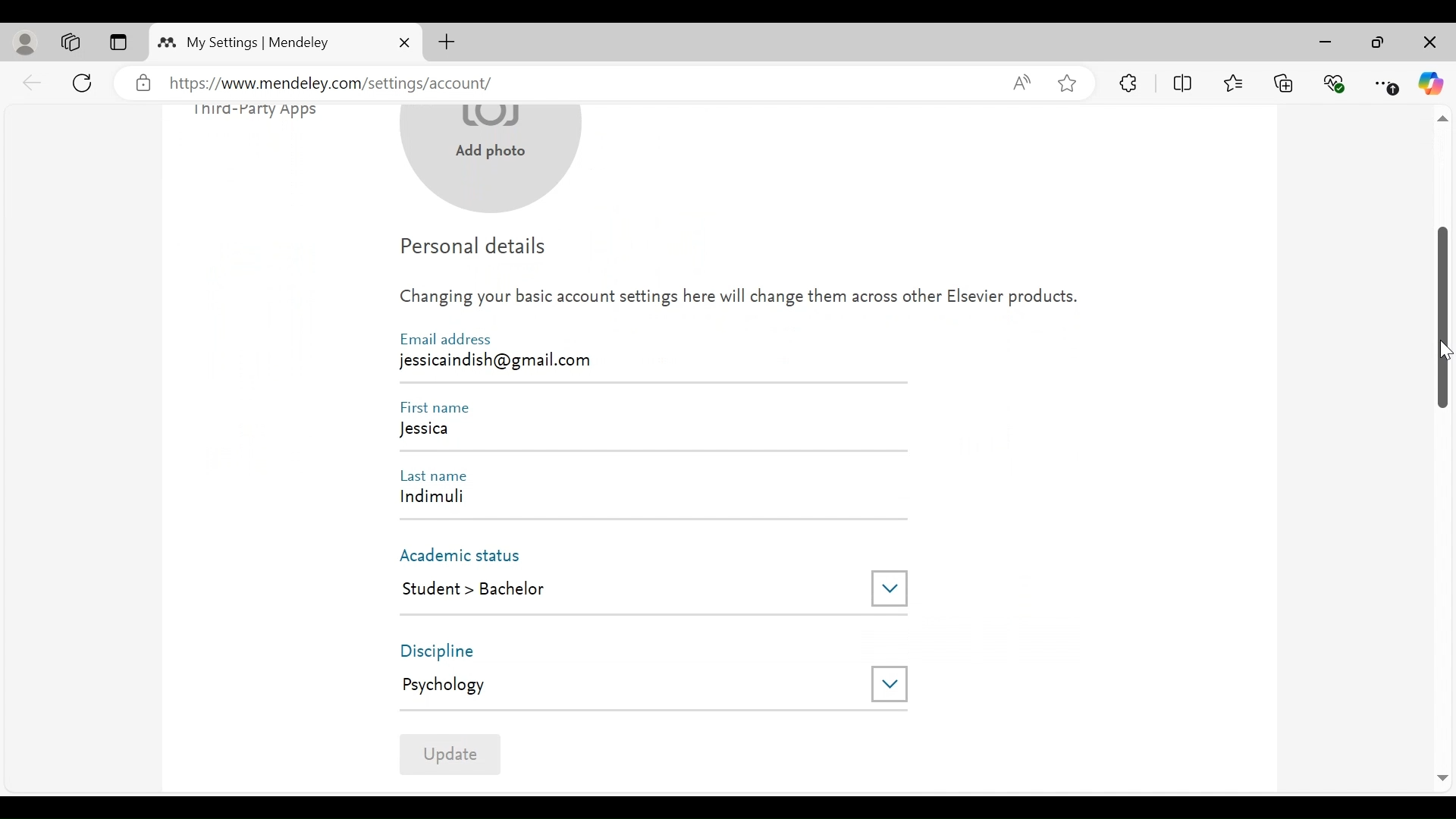 This screenshot has width=1456, height=819. I want to click on Vertical Scroll bar, so click(1443, 316).